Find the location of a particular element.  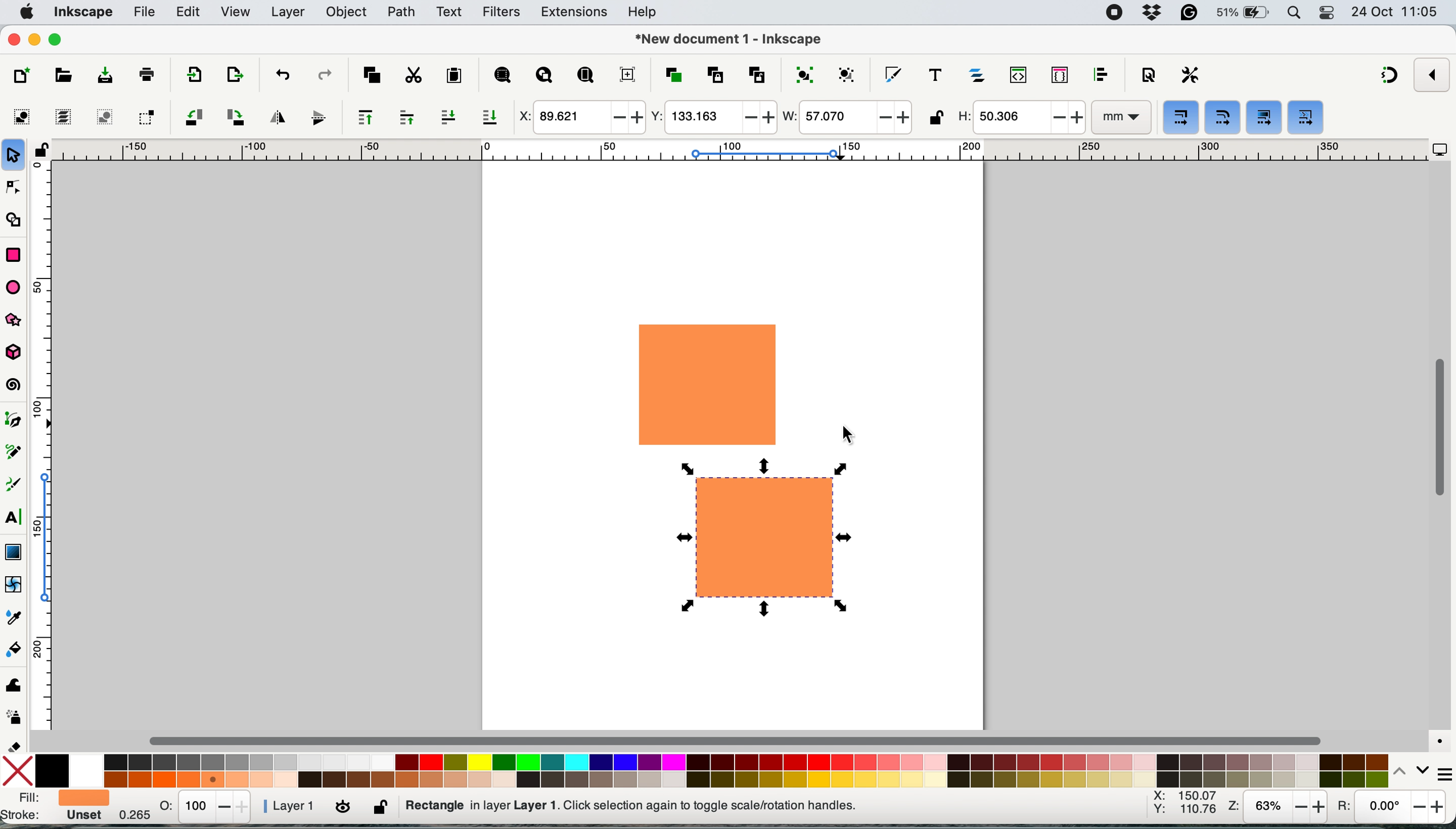

control center is located at coordinates (1329, 14).